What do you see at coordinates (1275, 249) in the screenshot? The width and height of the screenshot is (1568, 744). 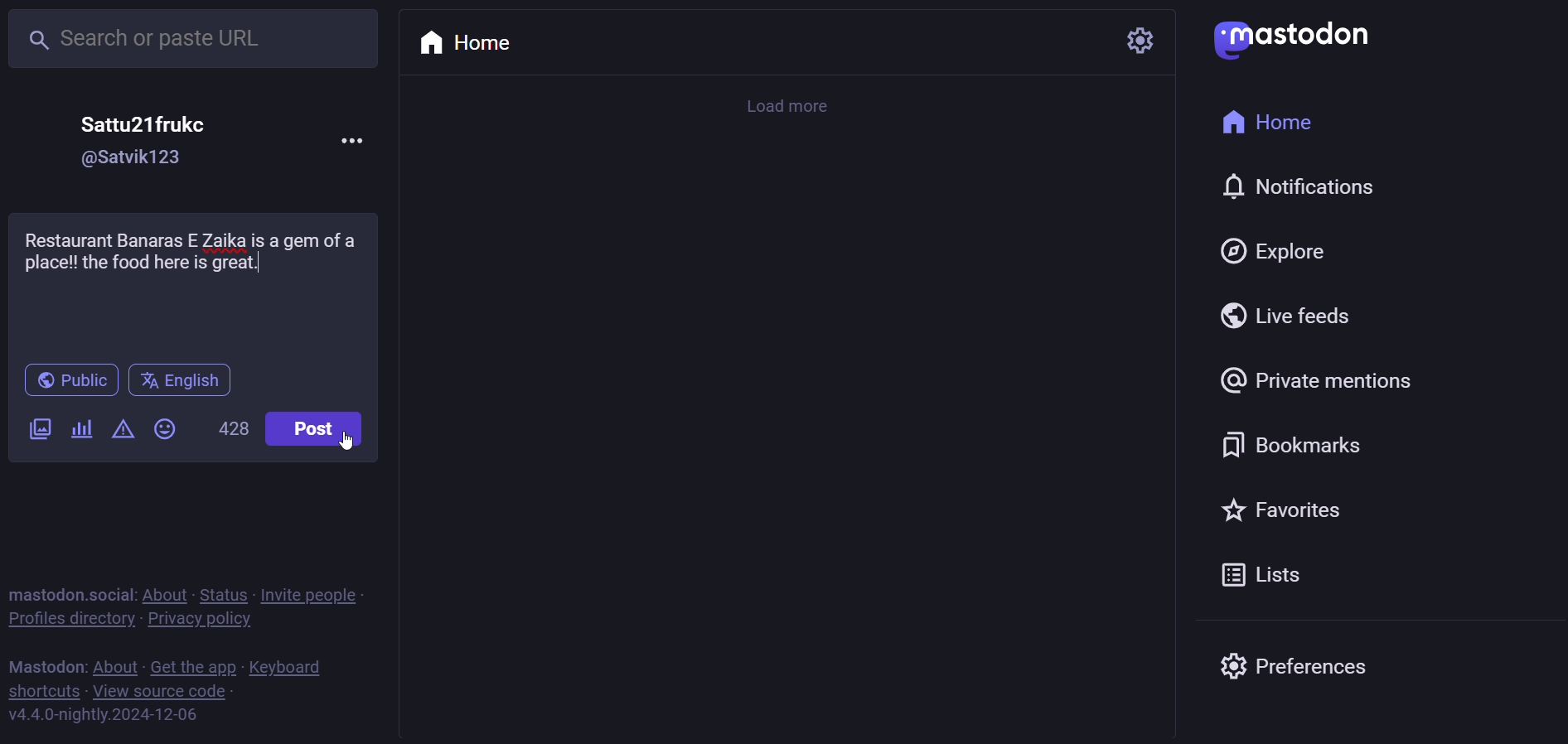 I see `explore` at bounding box center [1275, 249].